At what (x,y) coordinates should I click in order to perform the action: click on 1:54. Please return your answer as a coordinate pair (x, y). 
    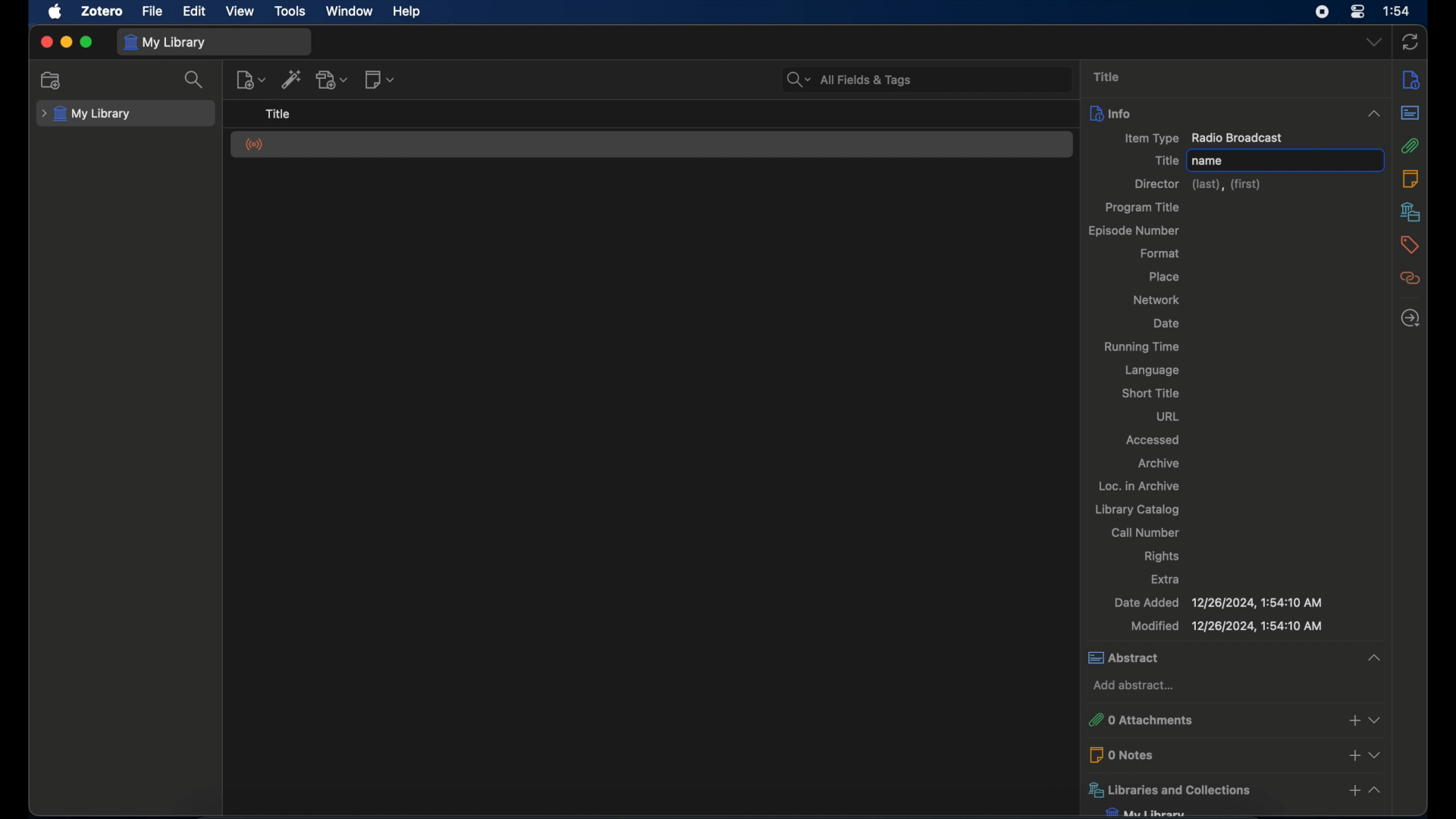
    Looking at the image, I should click on (1398, 12).